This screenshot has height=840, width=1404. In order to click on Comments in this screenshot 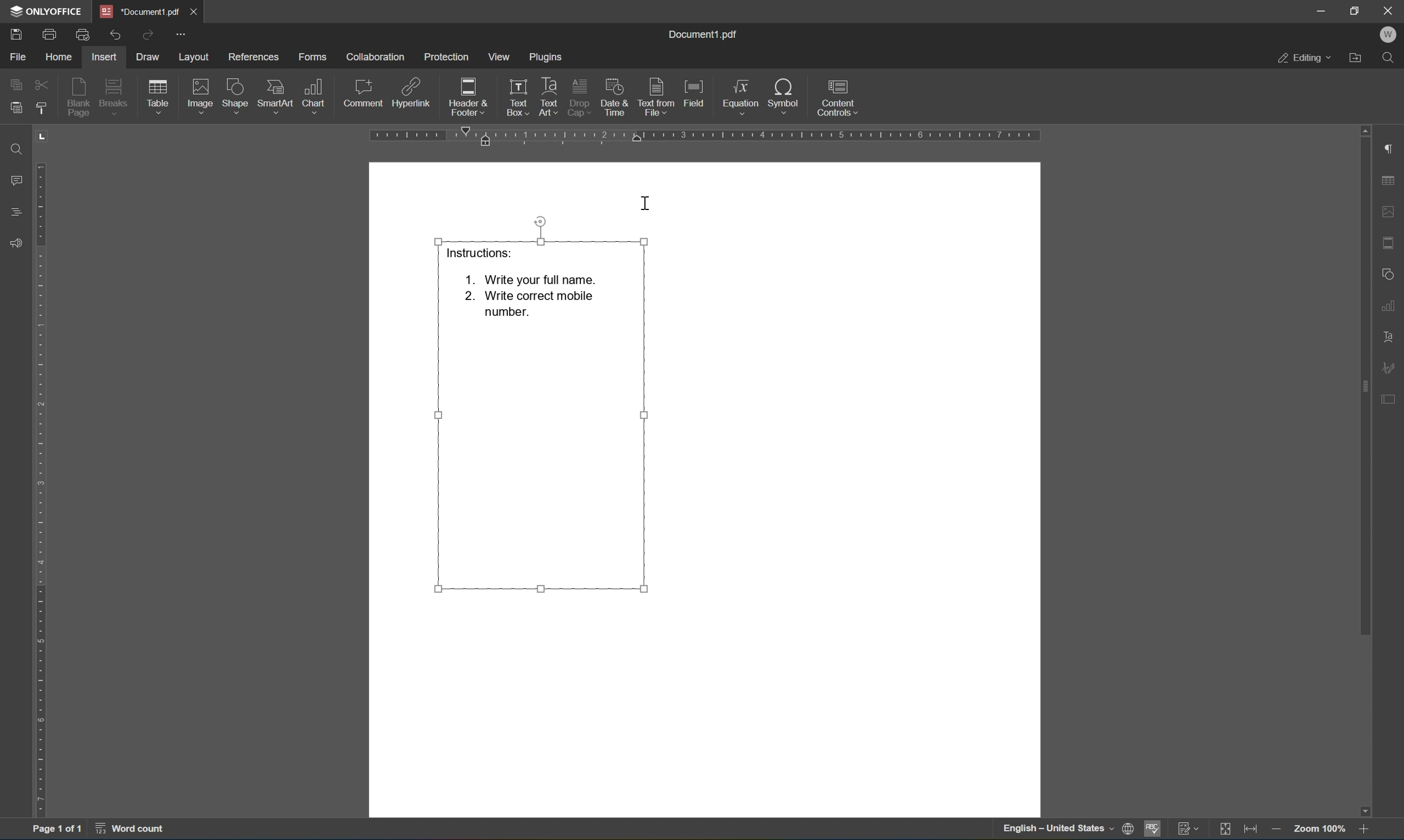, I will do `click(19, 181)`.